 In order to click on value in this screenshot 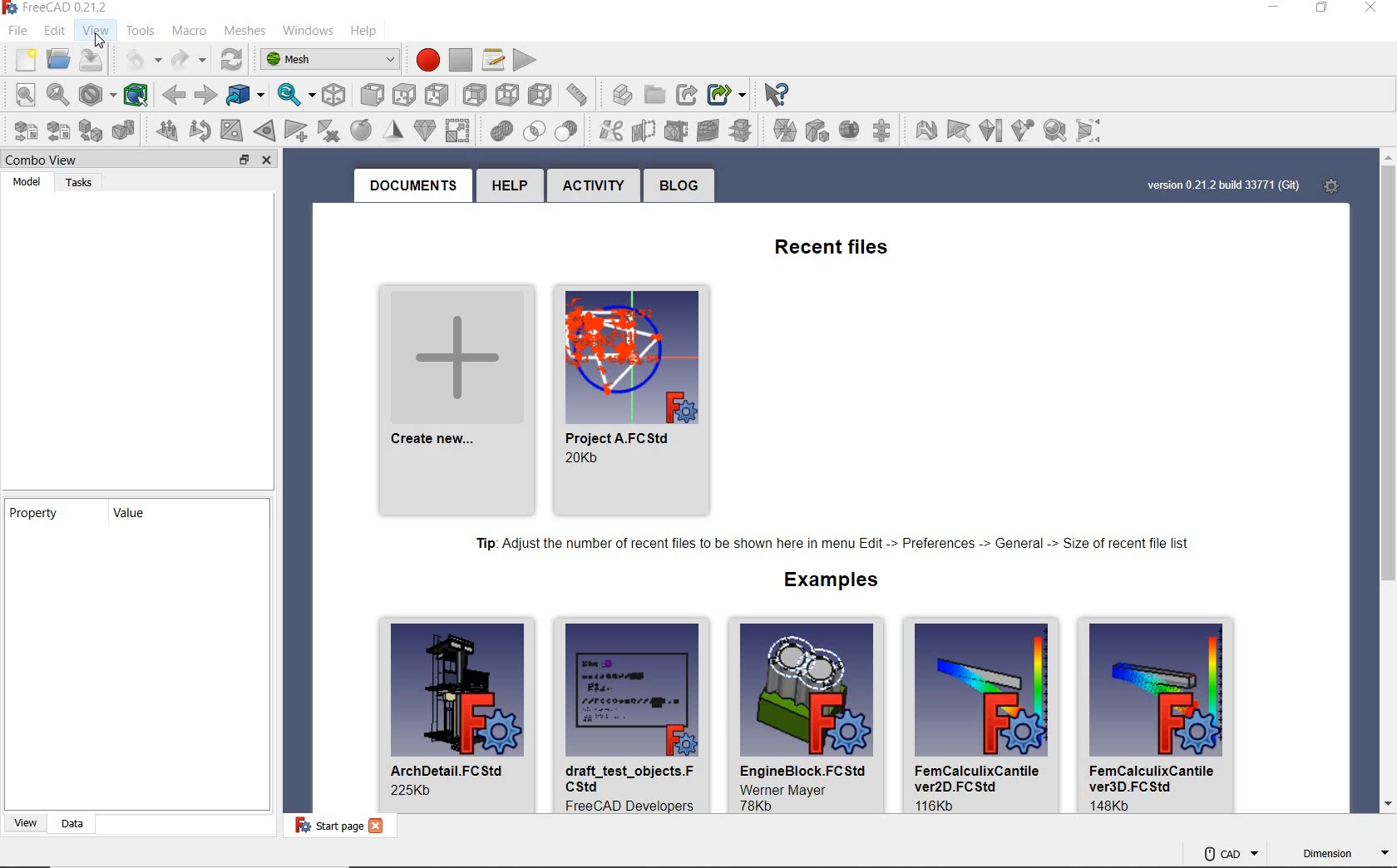, I will do `click(124, 515)`.